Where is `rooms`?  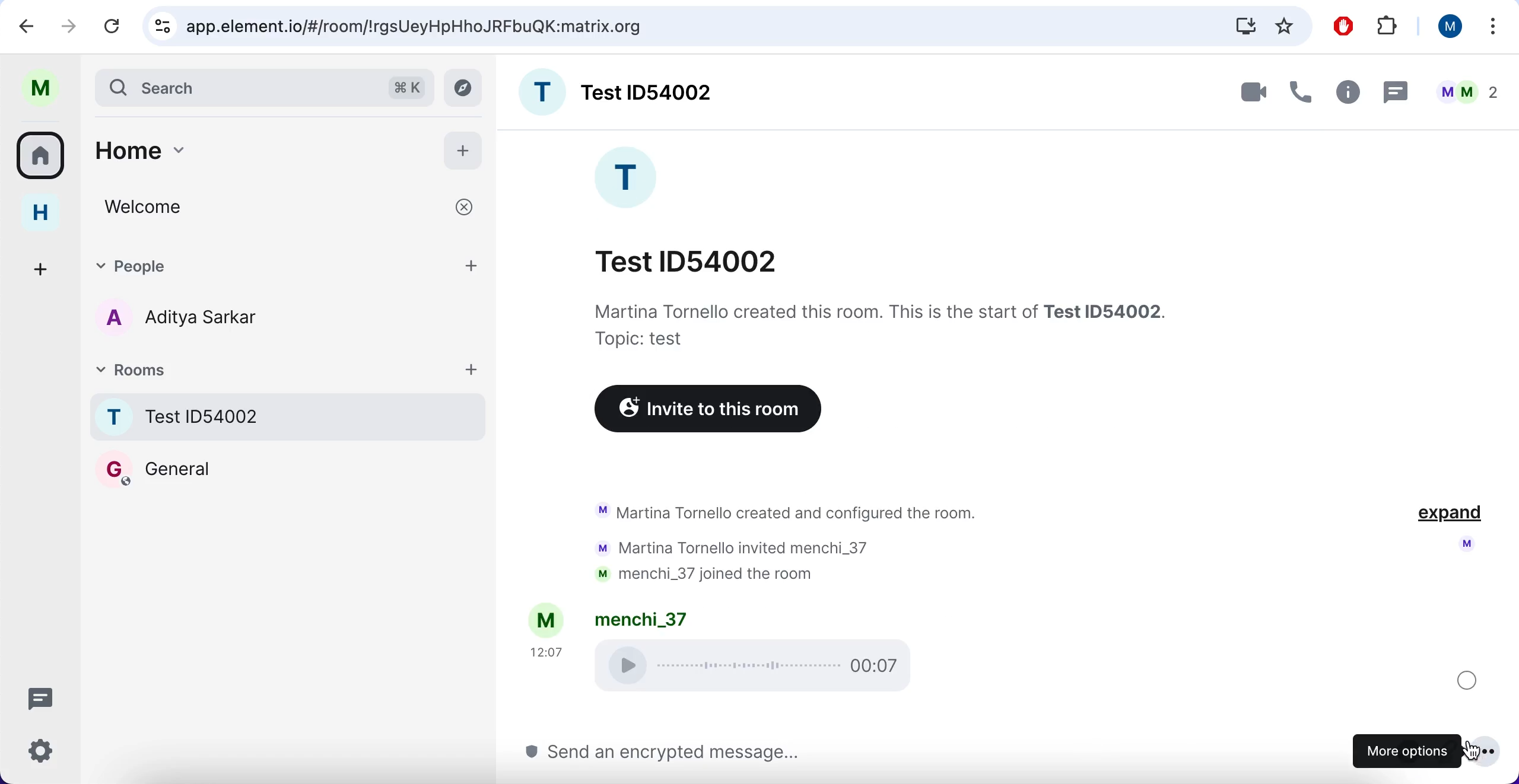
rooms is located at coordinates (291, 368).